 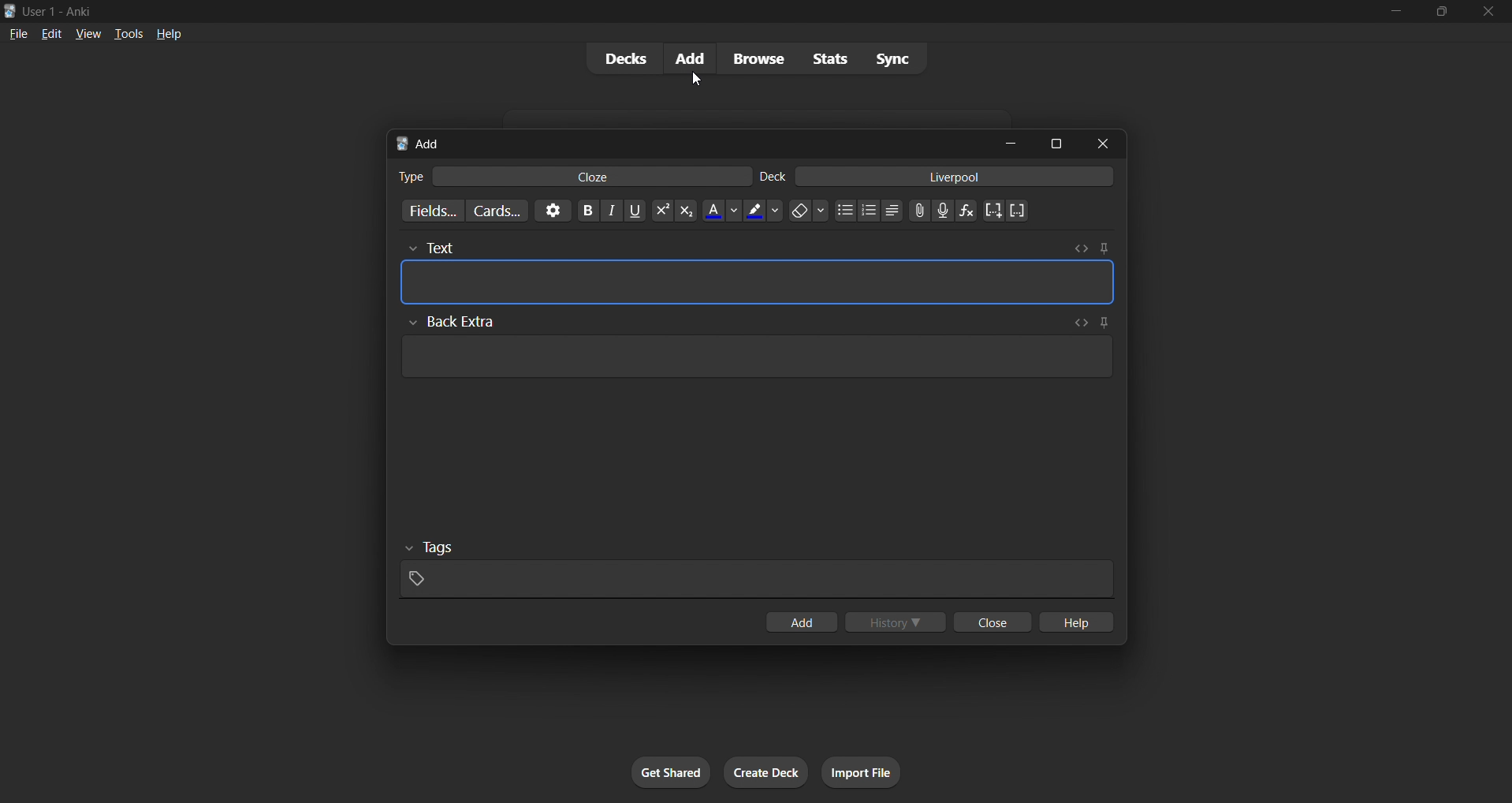 I want to click on bold, so click(x=588, y=213).